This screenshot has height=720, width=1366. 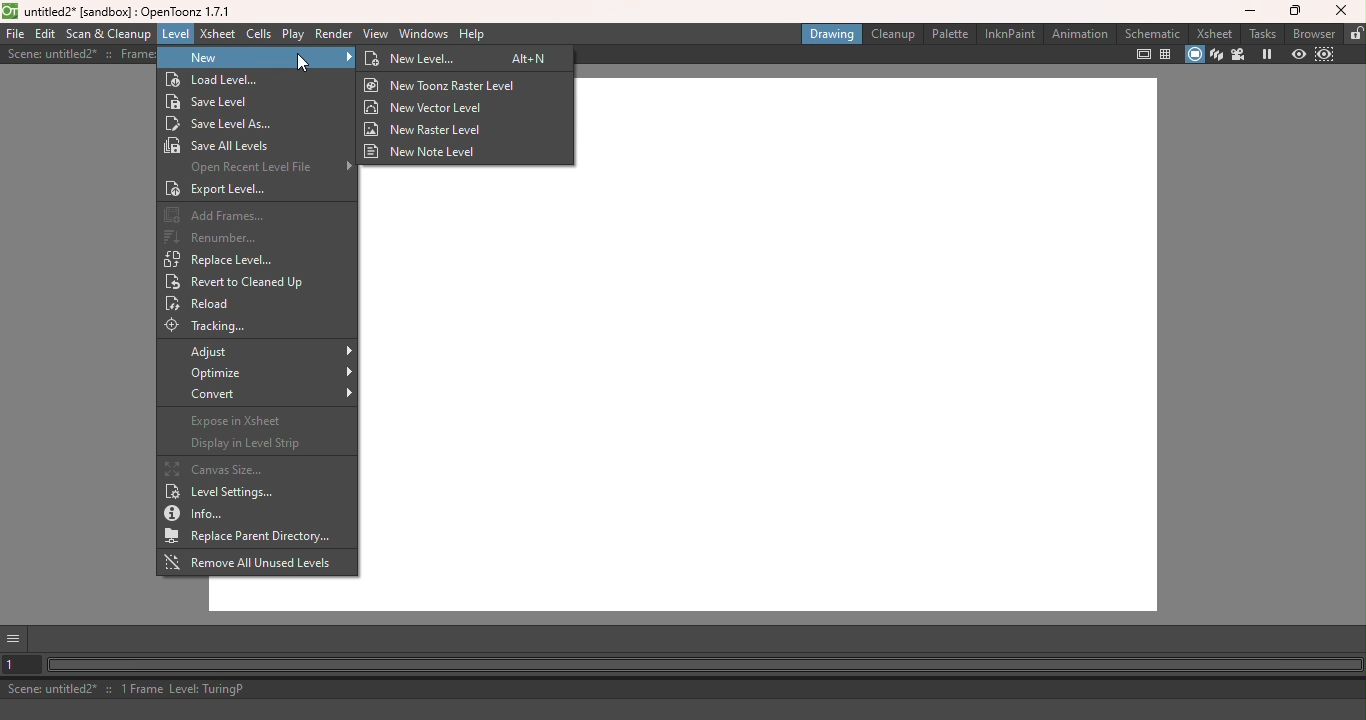 What do you see at coordinates (255, 537) in the screenshot?
I see `Replace parent dictionary` at bounding box center [255, 537].